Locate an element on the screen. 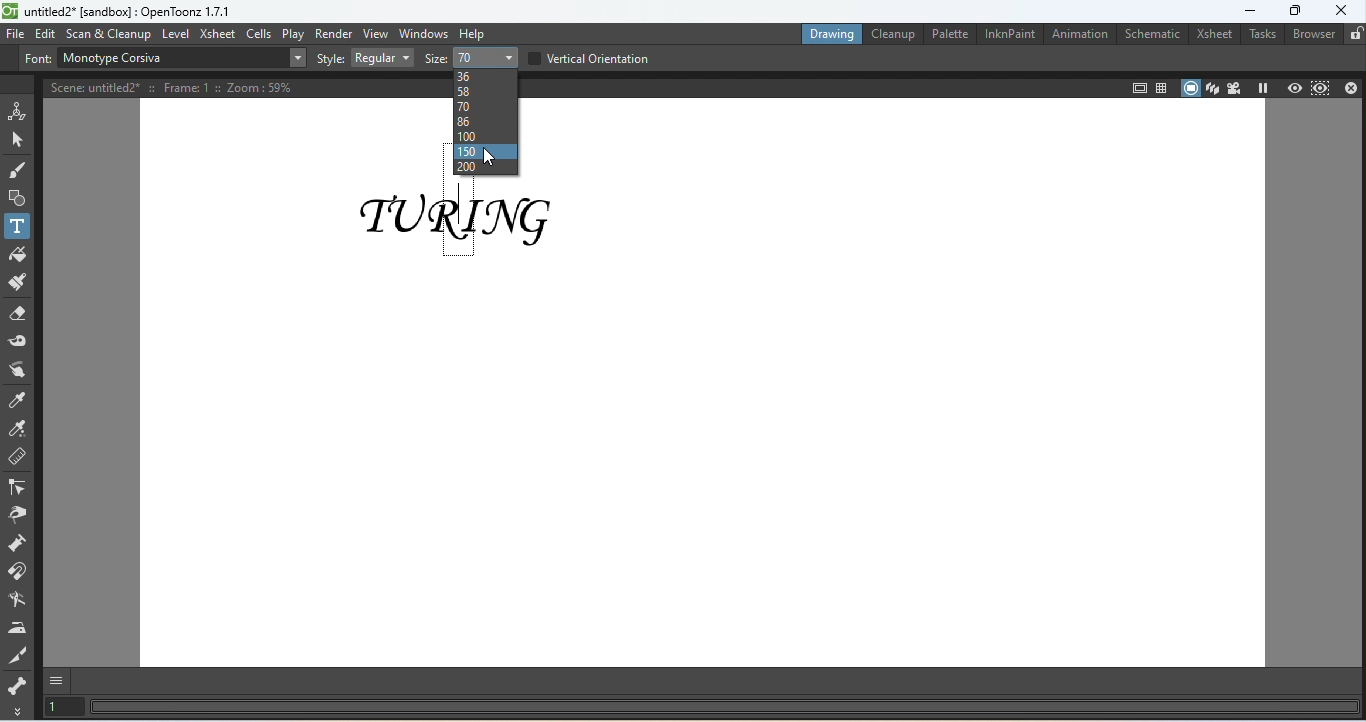 The image size is (1366, 722). 100 is located at coordinates (483, 136).